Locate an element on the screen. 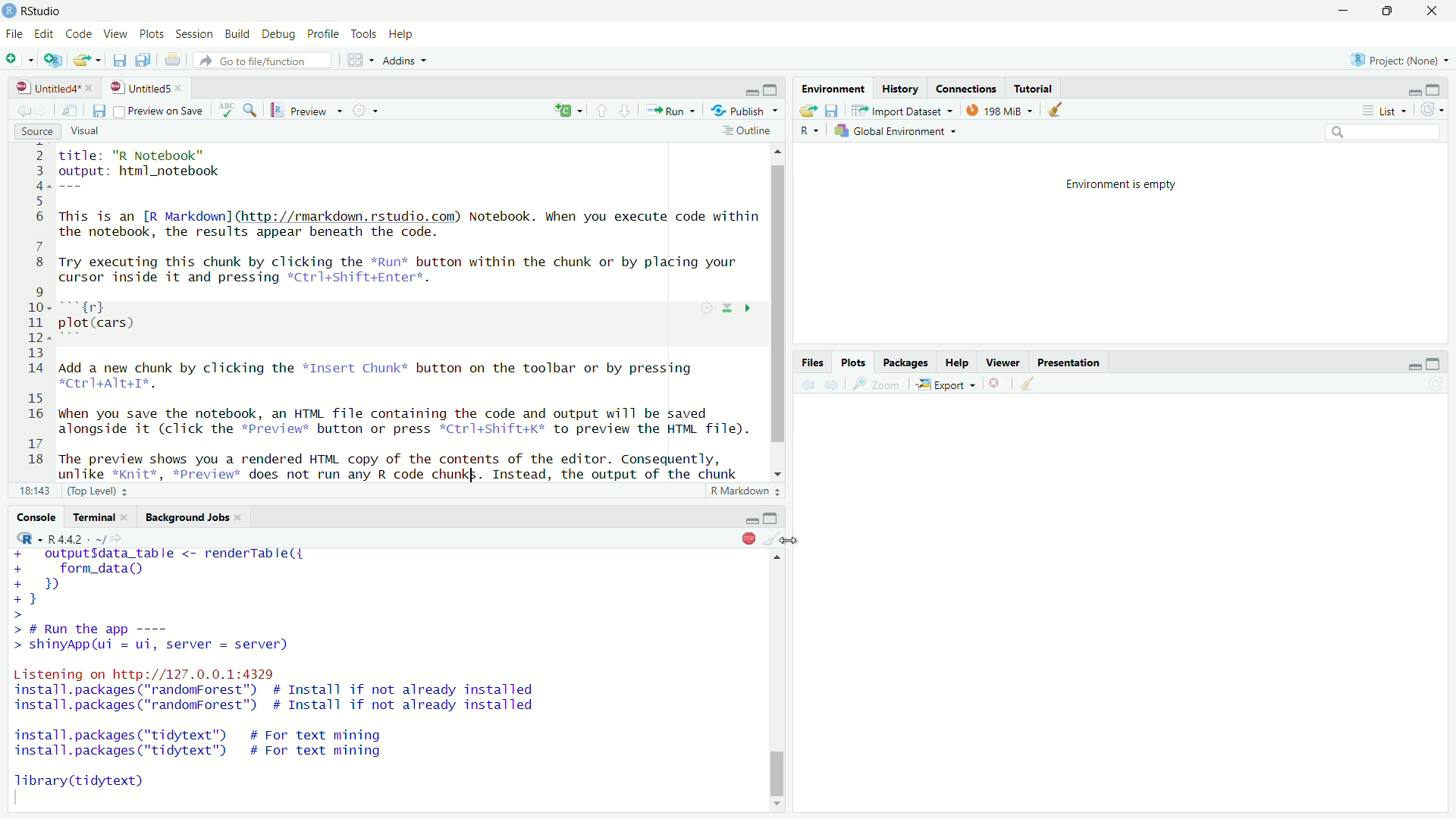  Plots is located at coordinates (853, 362).